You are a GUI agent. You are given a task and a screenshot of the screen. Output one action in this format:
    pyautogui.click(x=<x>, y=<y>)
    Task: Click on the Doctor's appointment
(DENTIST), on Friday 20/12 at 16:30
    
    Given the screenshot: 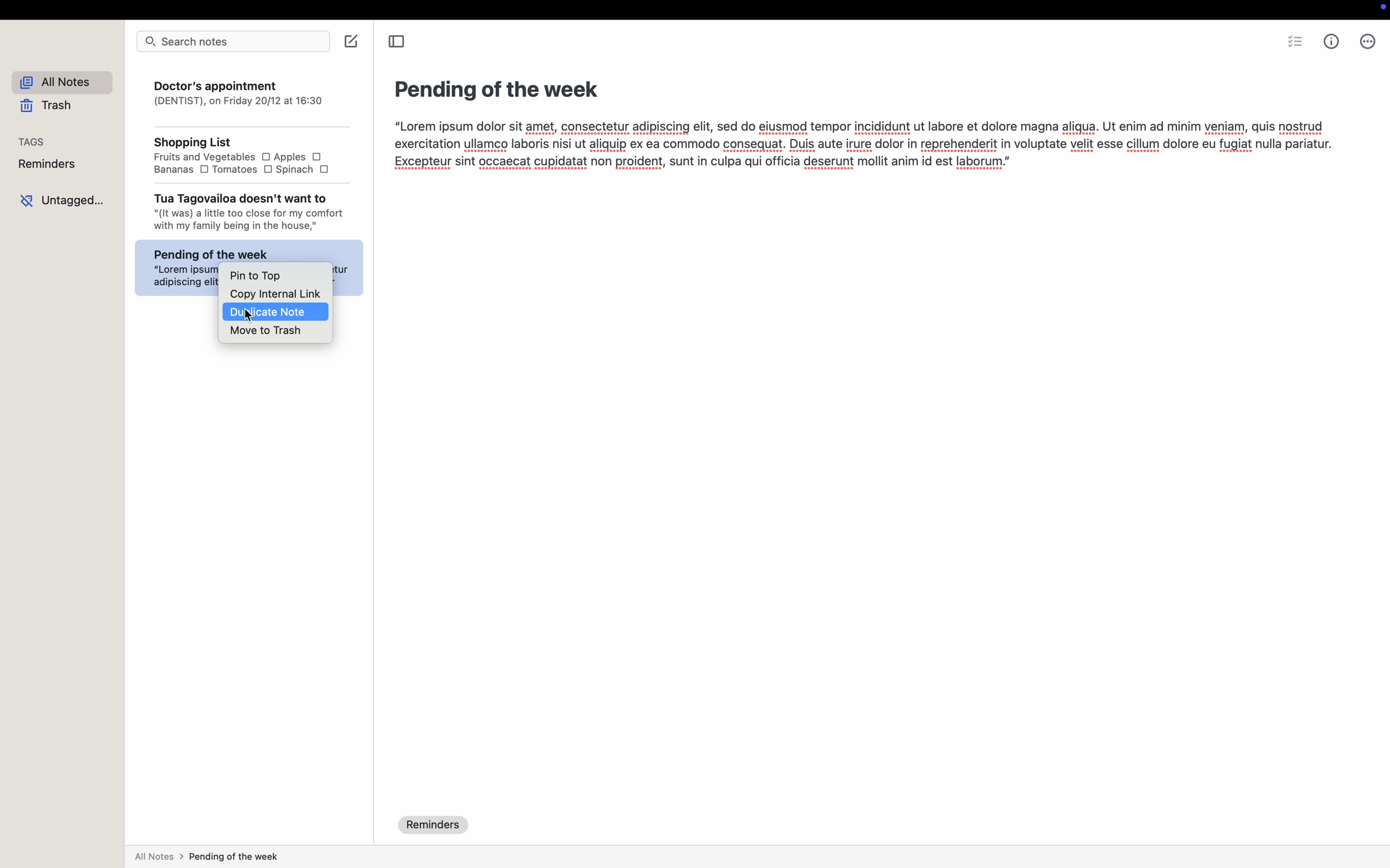 What is the action you would take?
    pyautogui.click(x=247, y=98)
    